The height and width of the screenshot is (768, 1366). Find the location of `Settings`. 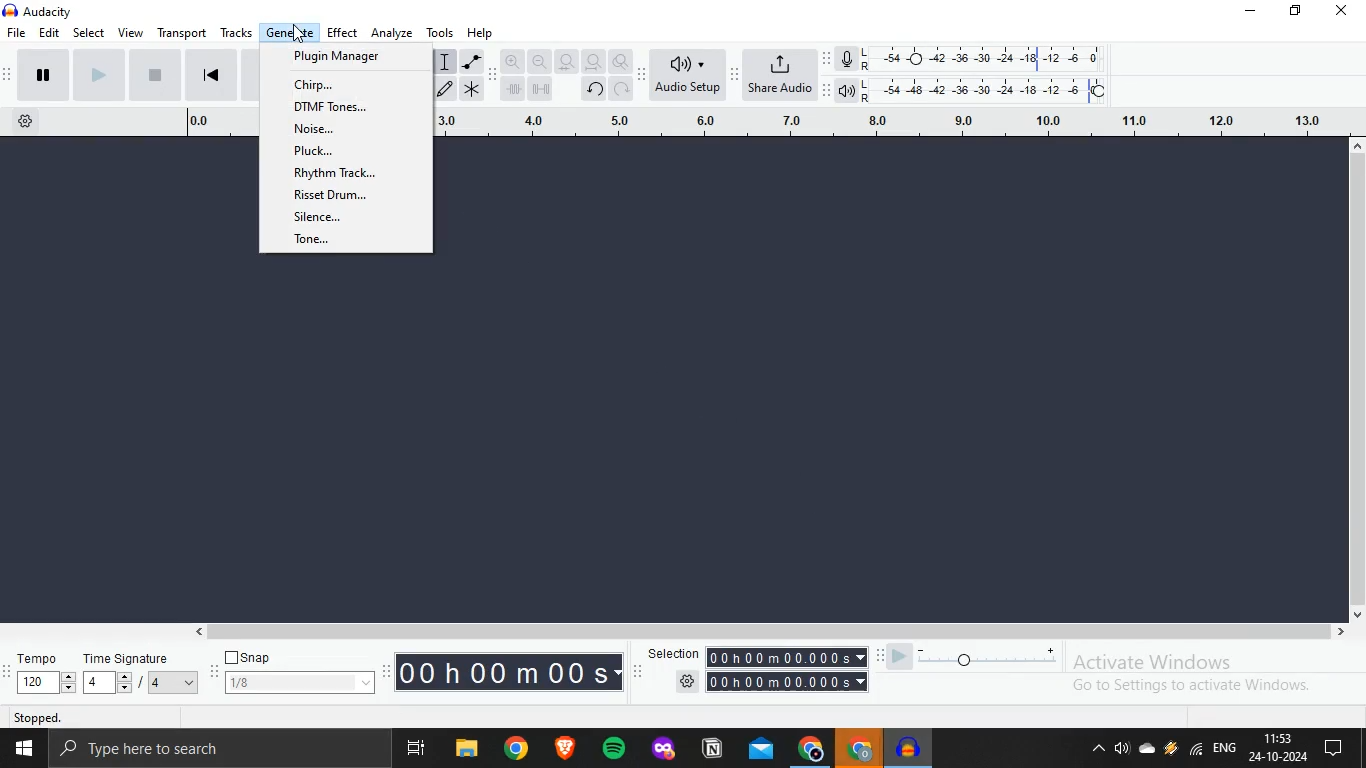

Settings is located at coordinates (767, 682).